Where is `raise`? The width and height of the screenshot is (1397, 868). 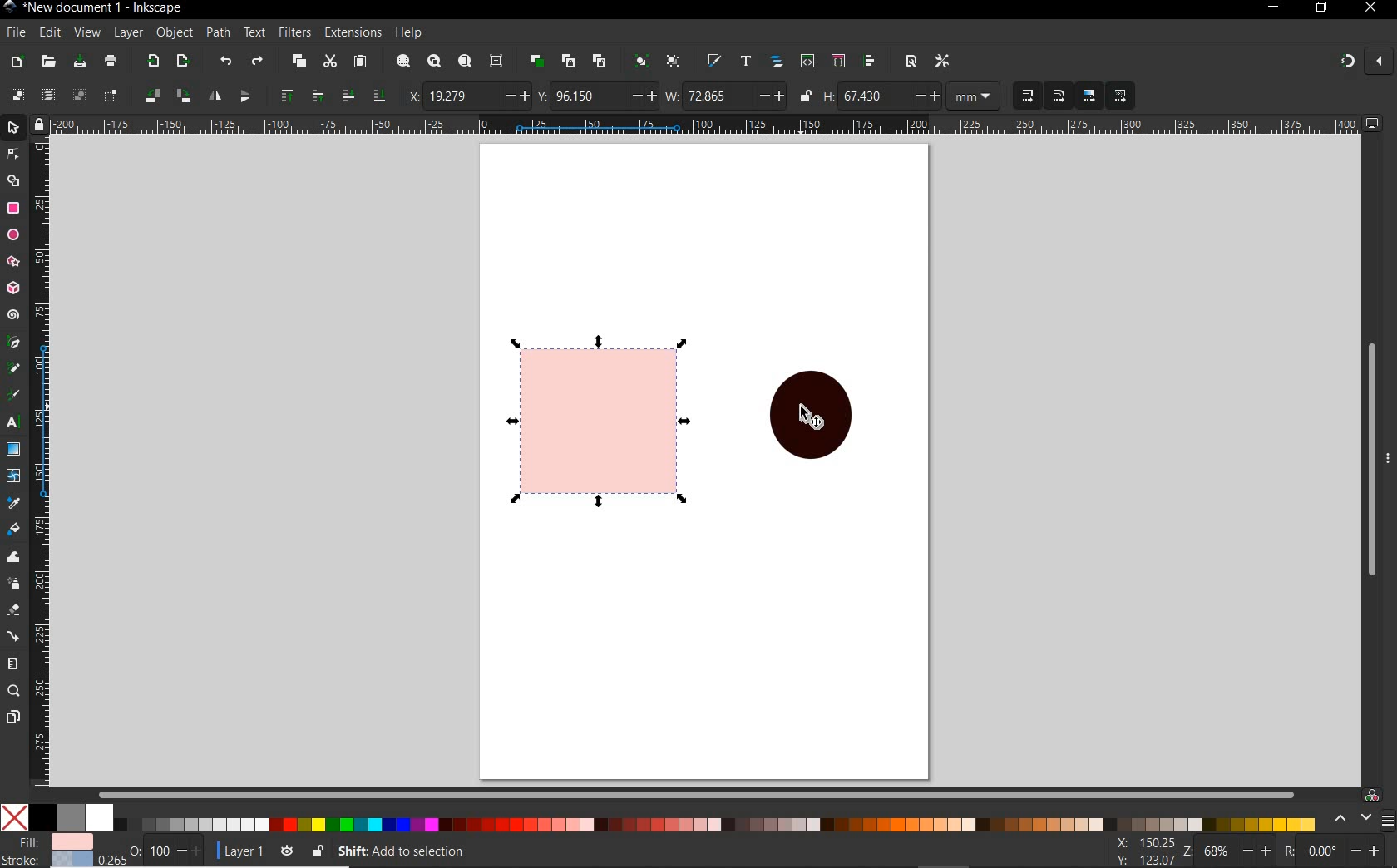
raise is located at coordinates (316, 94).